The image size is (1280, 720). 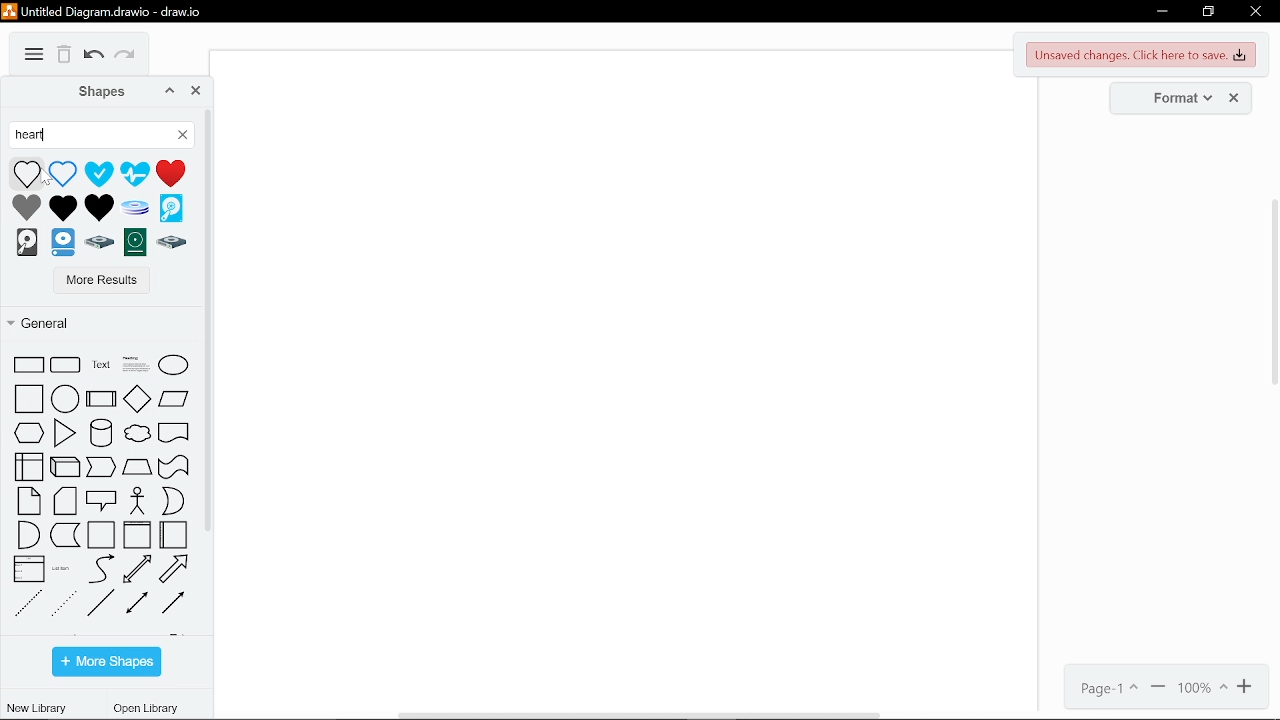 I want to click on dashed line, so click(x=28, y=607).